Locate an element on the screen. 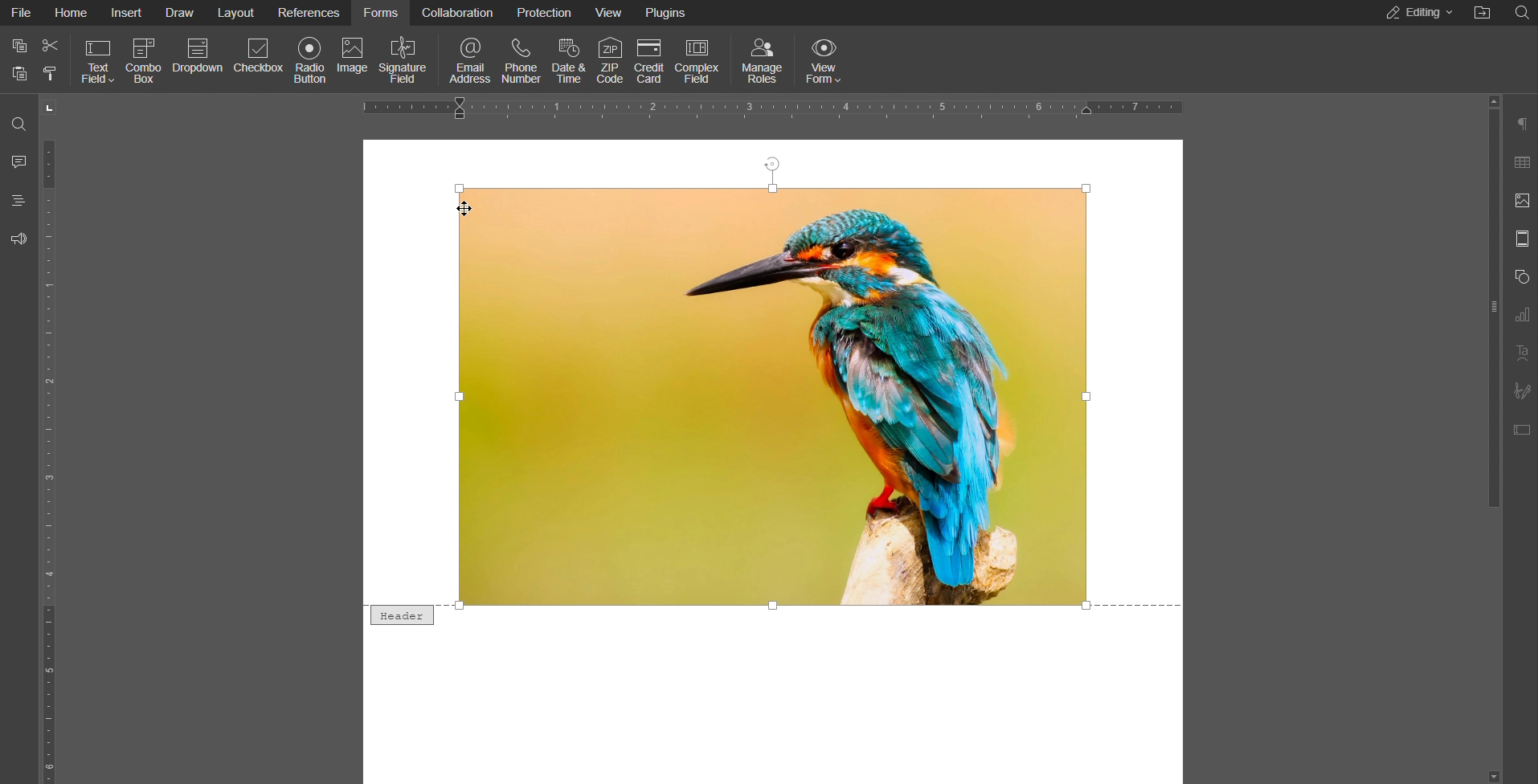 The width and height of the screenshot is (1538, 784). Home is located at coordinates (72, 14).